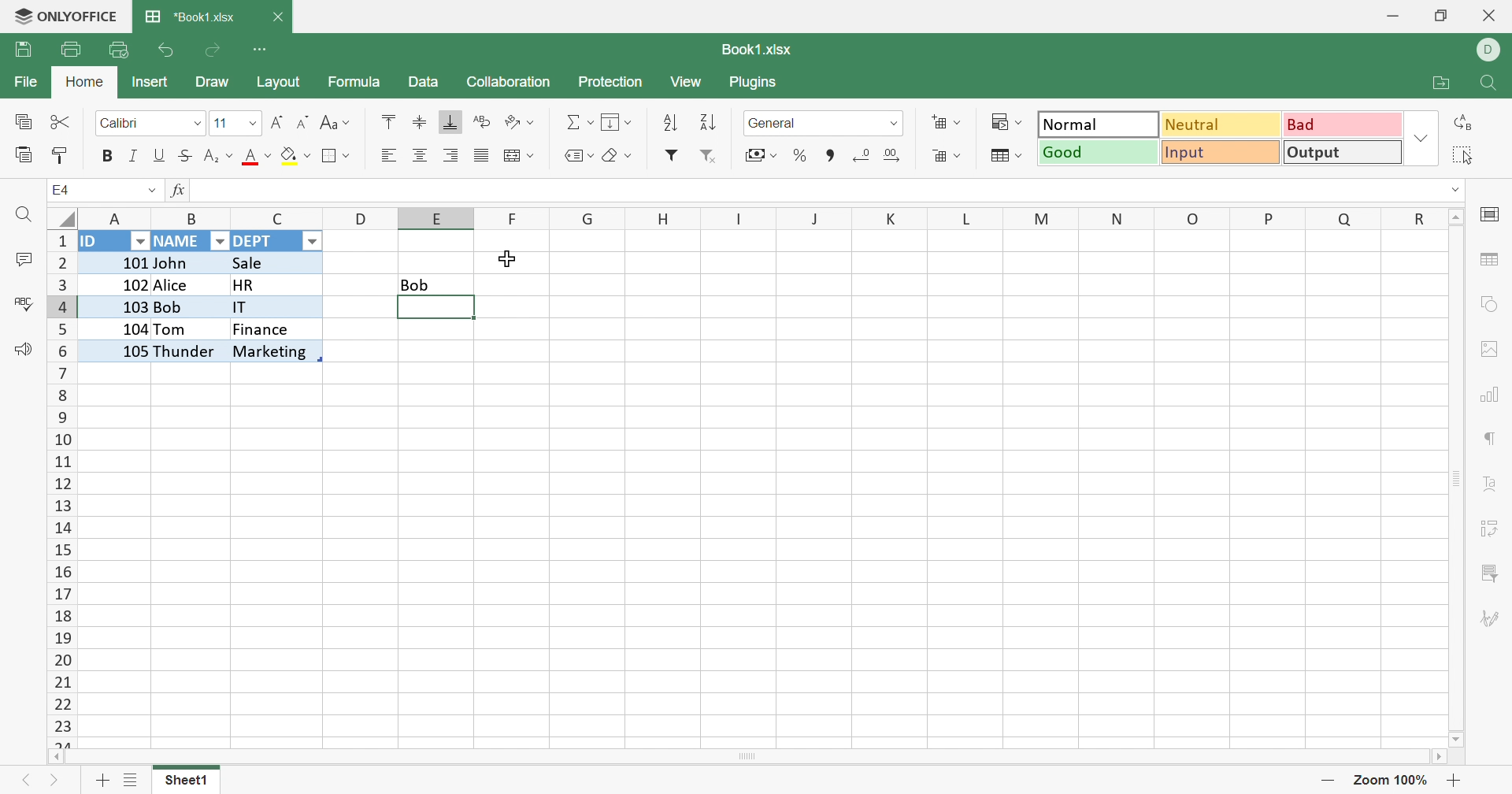  I want to click on Drop Down, so click(1418, 139).